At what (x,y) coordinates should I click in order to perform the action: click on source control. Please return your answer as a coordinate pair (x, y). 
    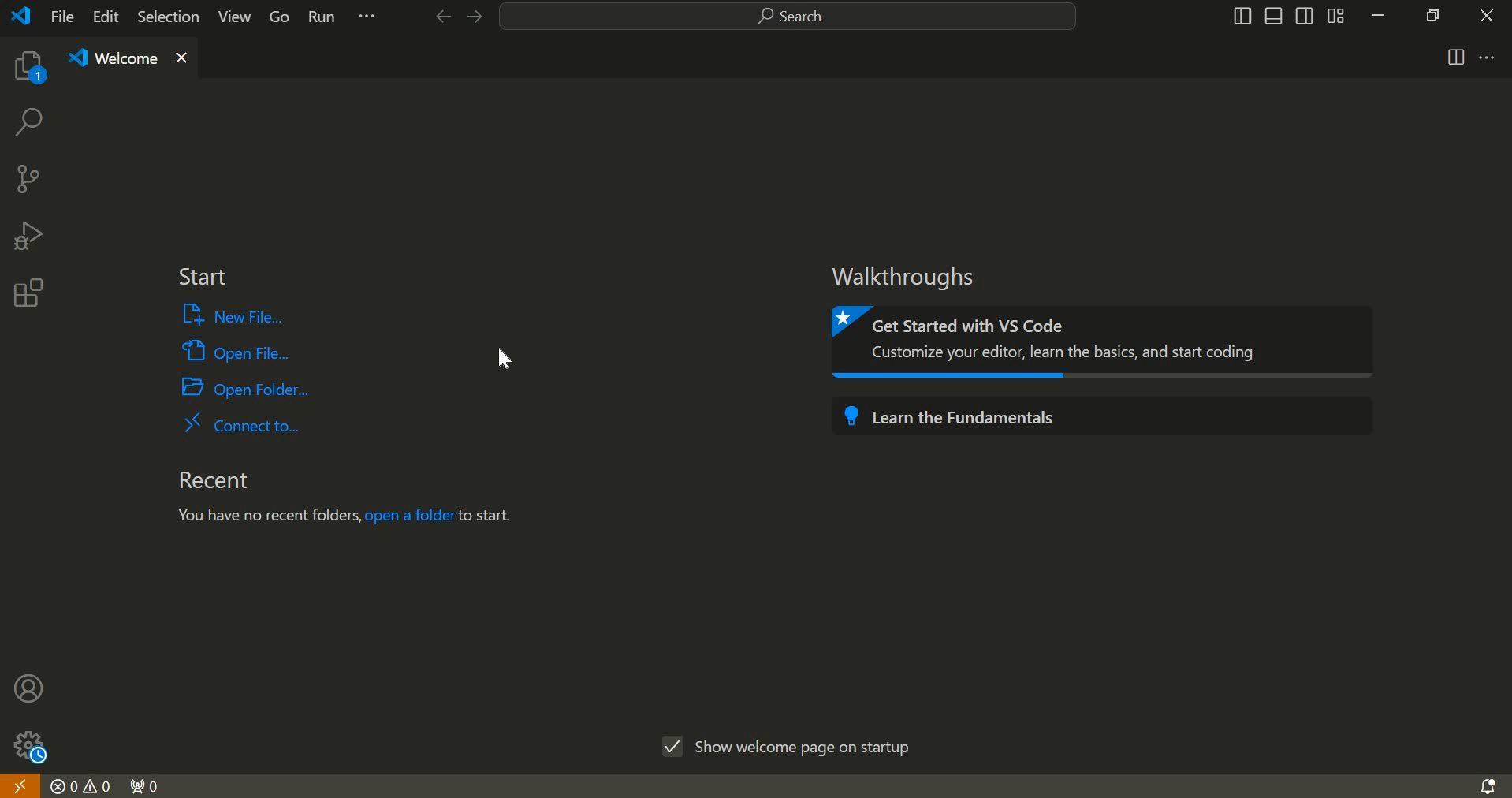
    Looking at the image, I should click on (28, 177).